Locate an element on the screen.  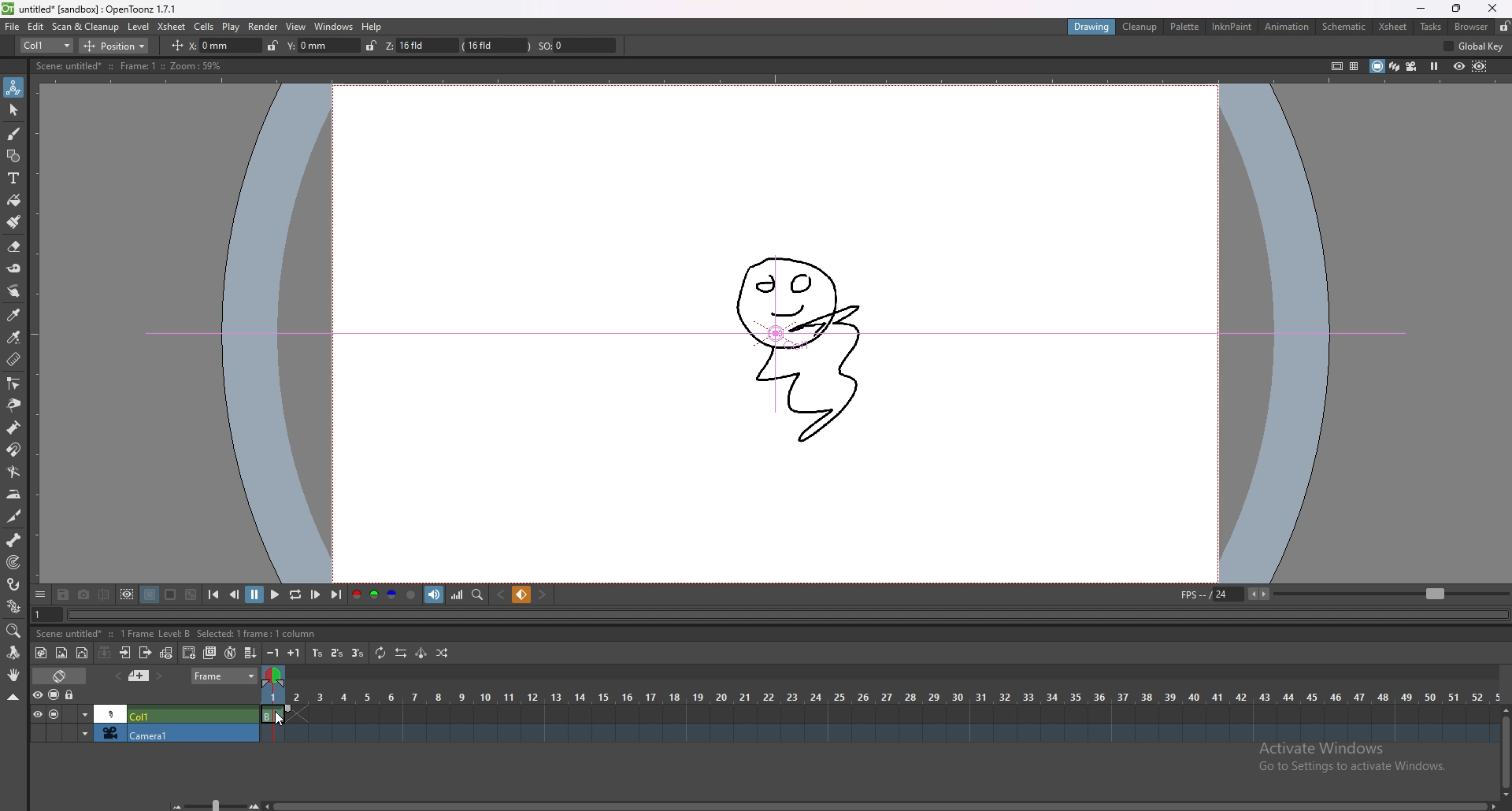
magnet is located at coordinates (13, 450).